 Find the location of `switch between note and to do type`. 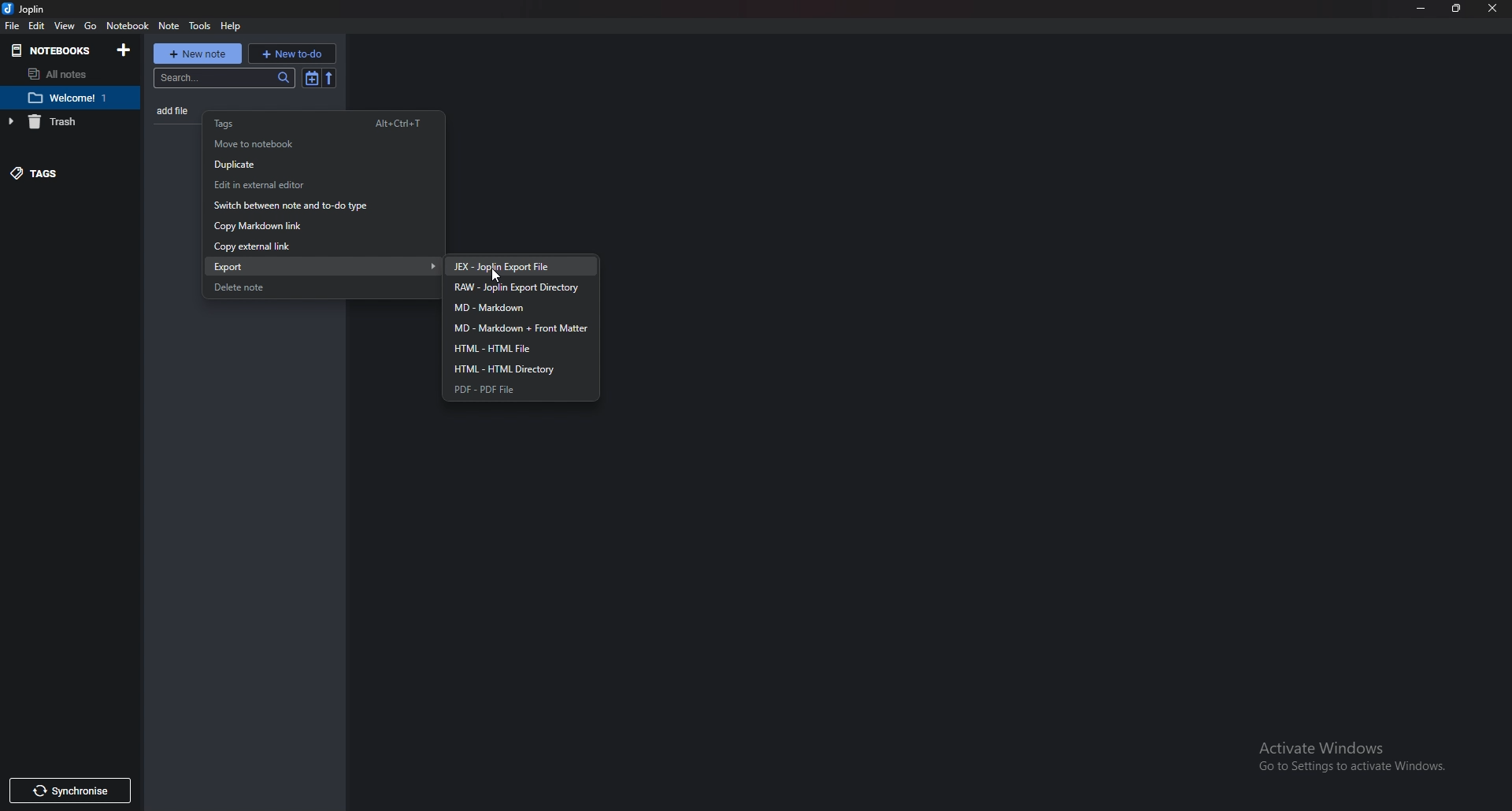

switch between note and to do type is located at coordinates (313, 208).